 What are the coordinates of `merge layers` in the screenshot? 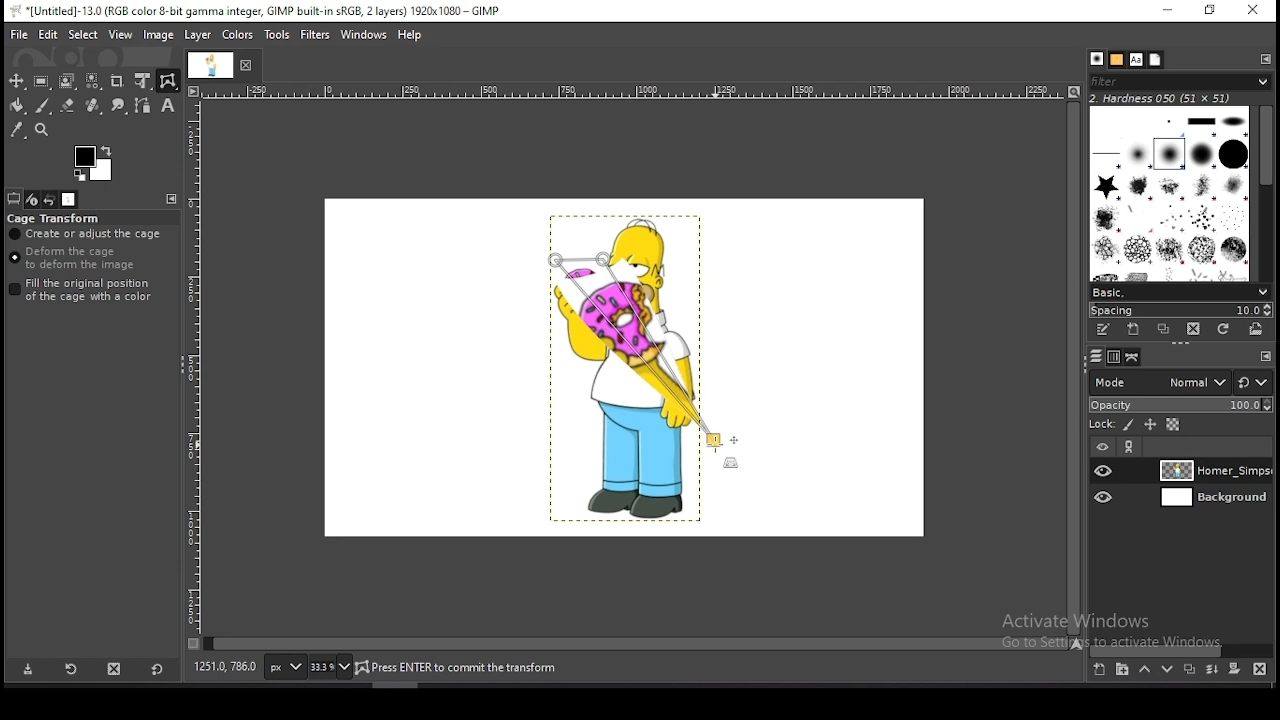 It's located at (1212, 672).